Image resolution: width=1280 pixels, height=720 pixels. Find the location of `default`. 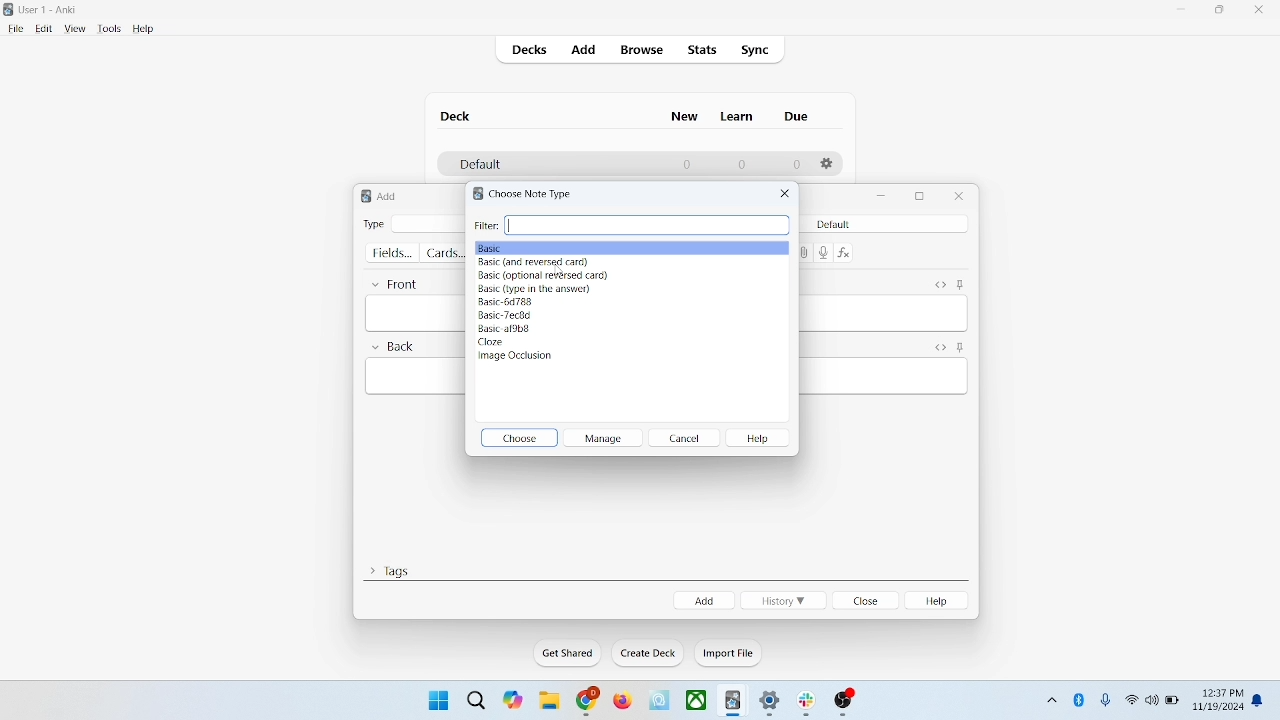

default is located at coordinates (479, 165).